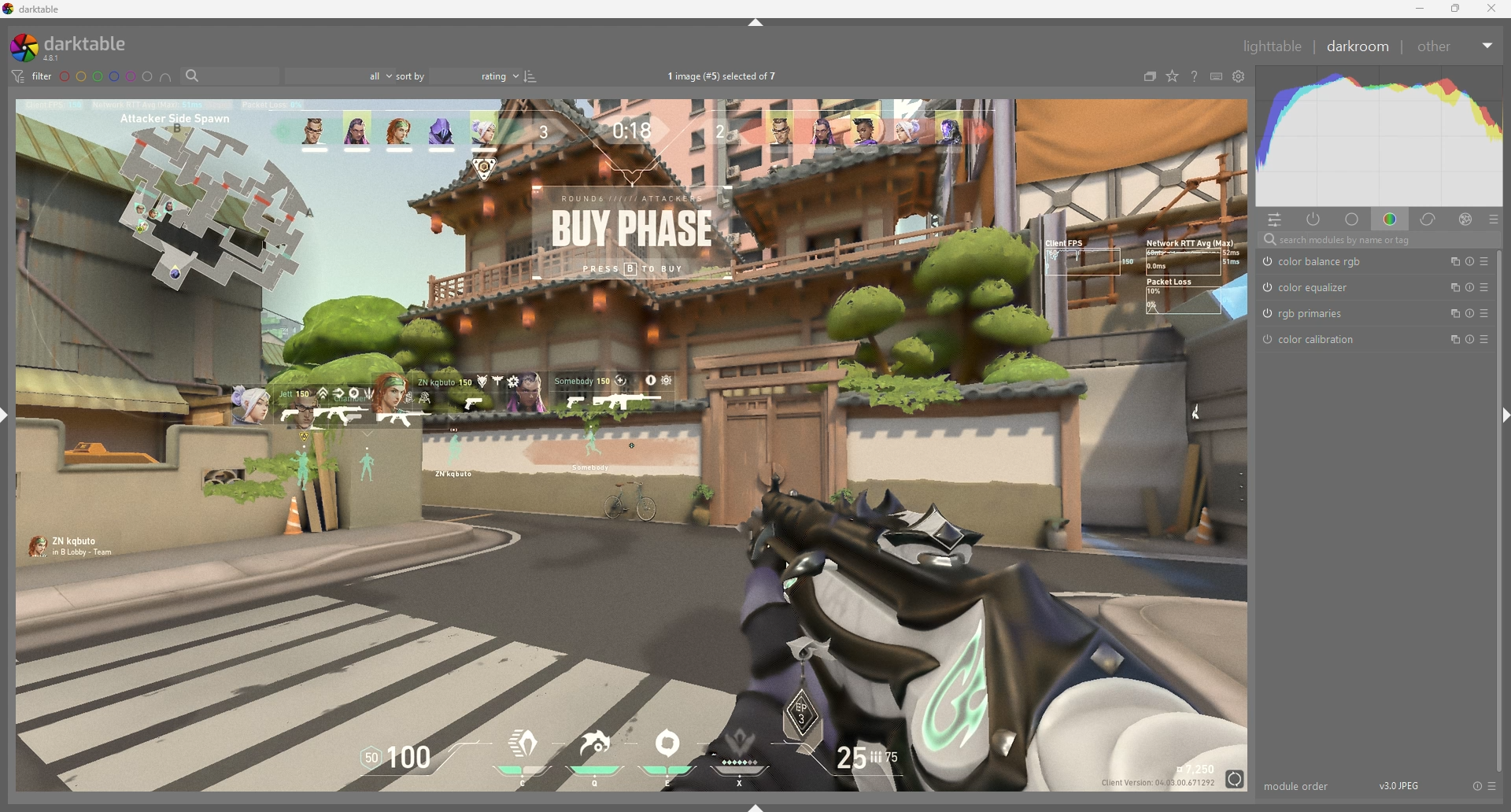 The width and height of the screenshot is (1511, 812). Describe the element at coordinates (1310, 340) in the screenshot. I see `color calibration` at that location.